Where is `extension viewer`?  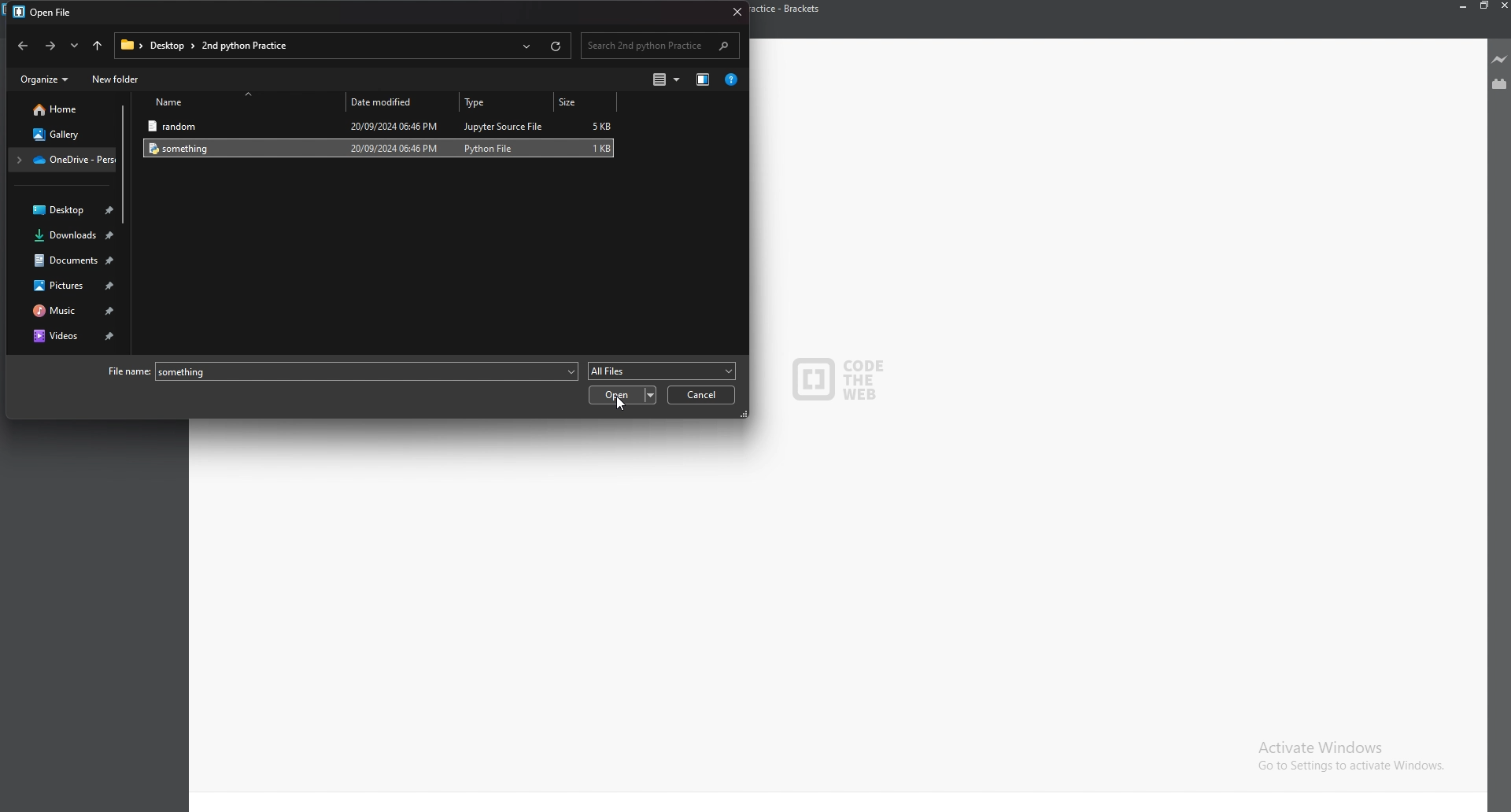
extension viewer is located at coordinates (1498, 85).